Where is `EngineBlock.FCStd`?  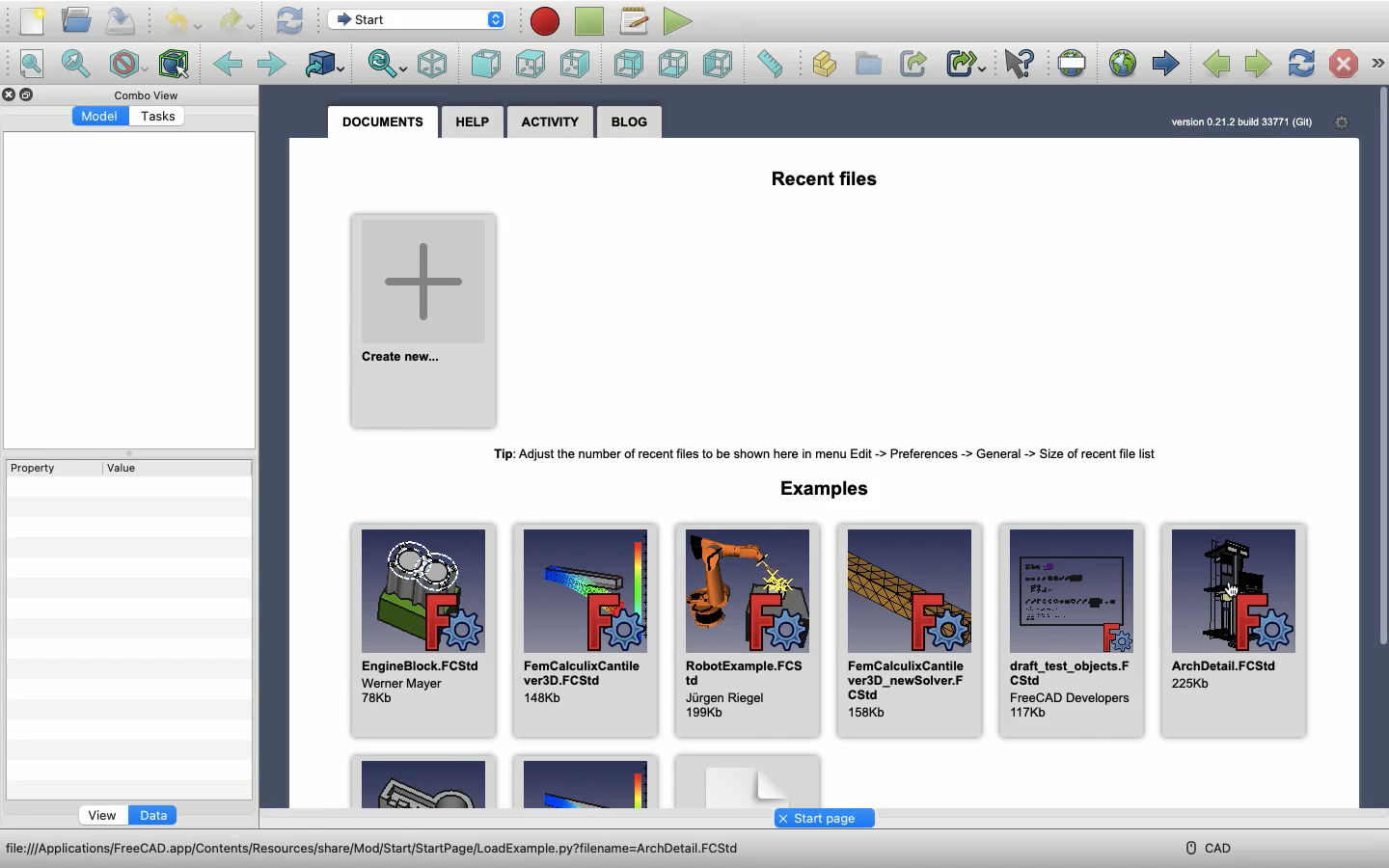
EngineBlock.FCStd is located at coordinates (423, 630).